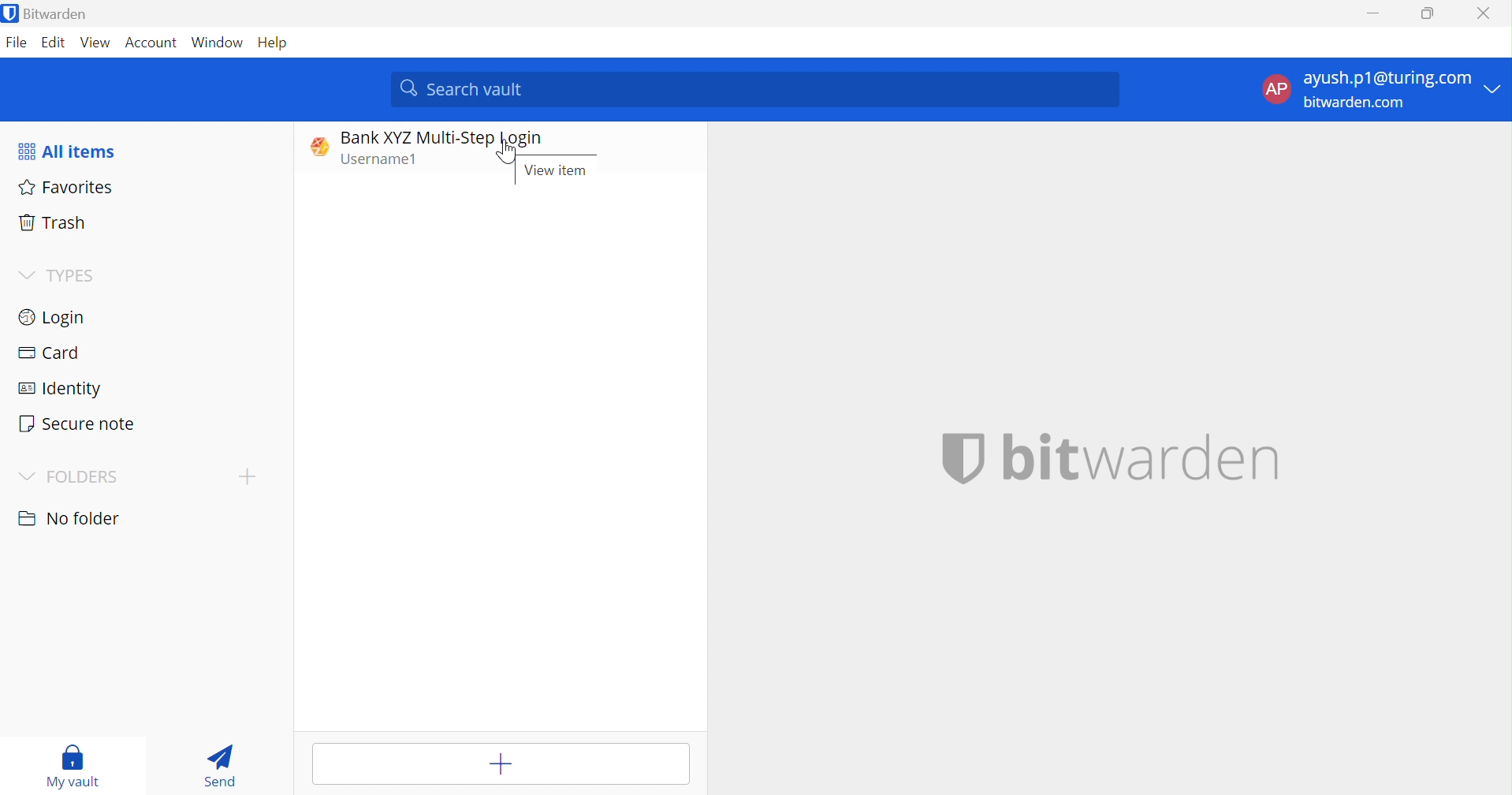  What do you see at coordinates (154, 46) in the screenshot?
I see `Account` at bounding box center [154, 46].